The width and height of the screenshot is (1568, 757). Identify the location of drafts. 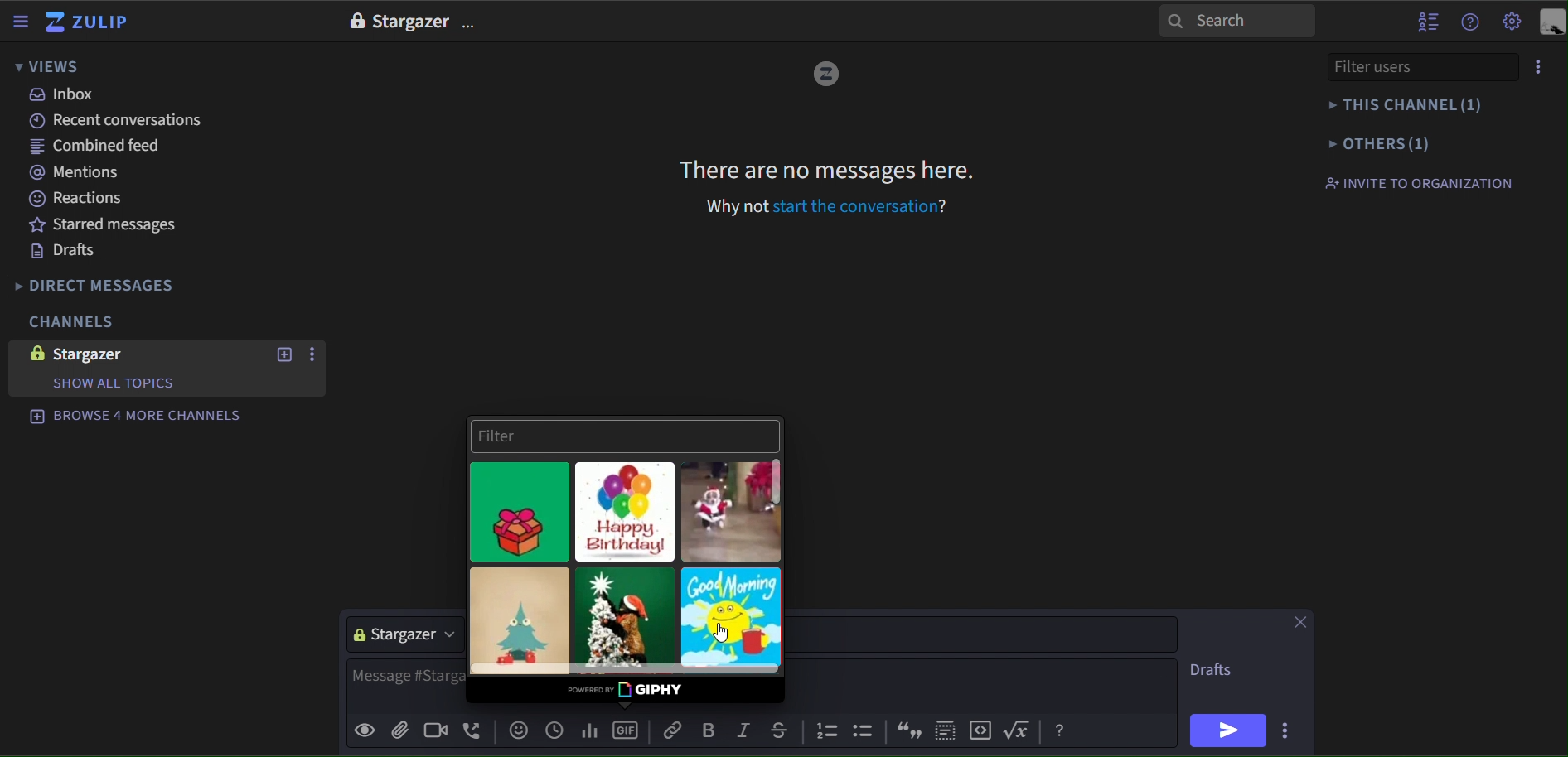
(1216, 673).